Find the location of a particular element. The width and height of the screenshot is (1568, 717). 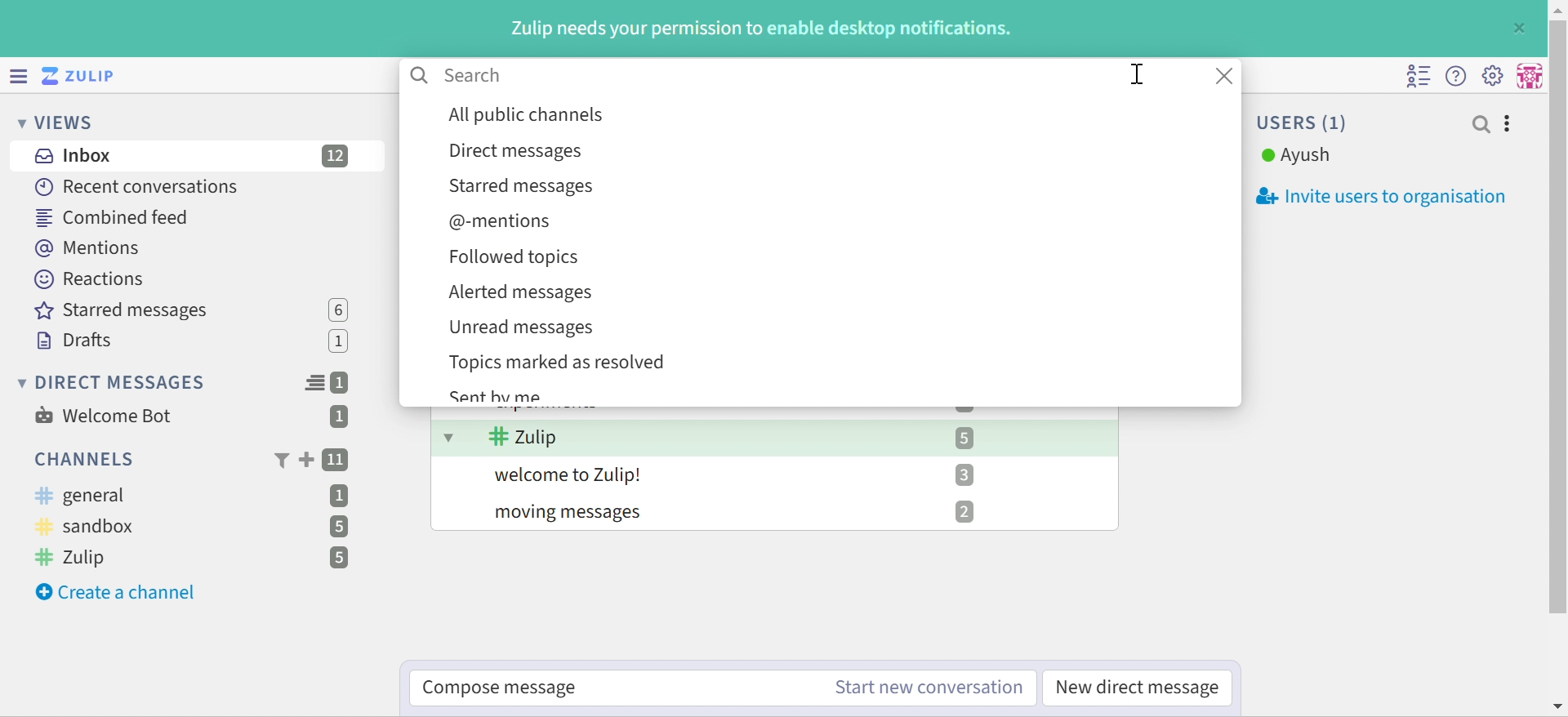

Ayush is located at coordinates (1296, 156).